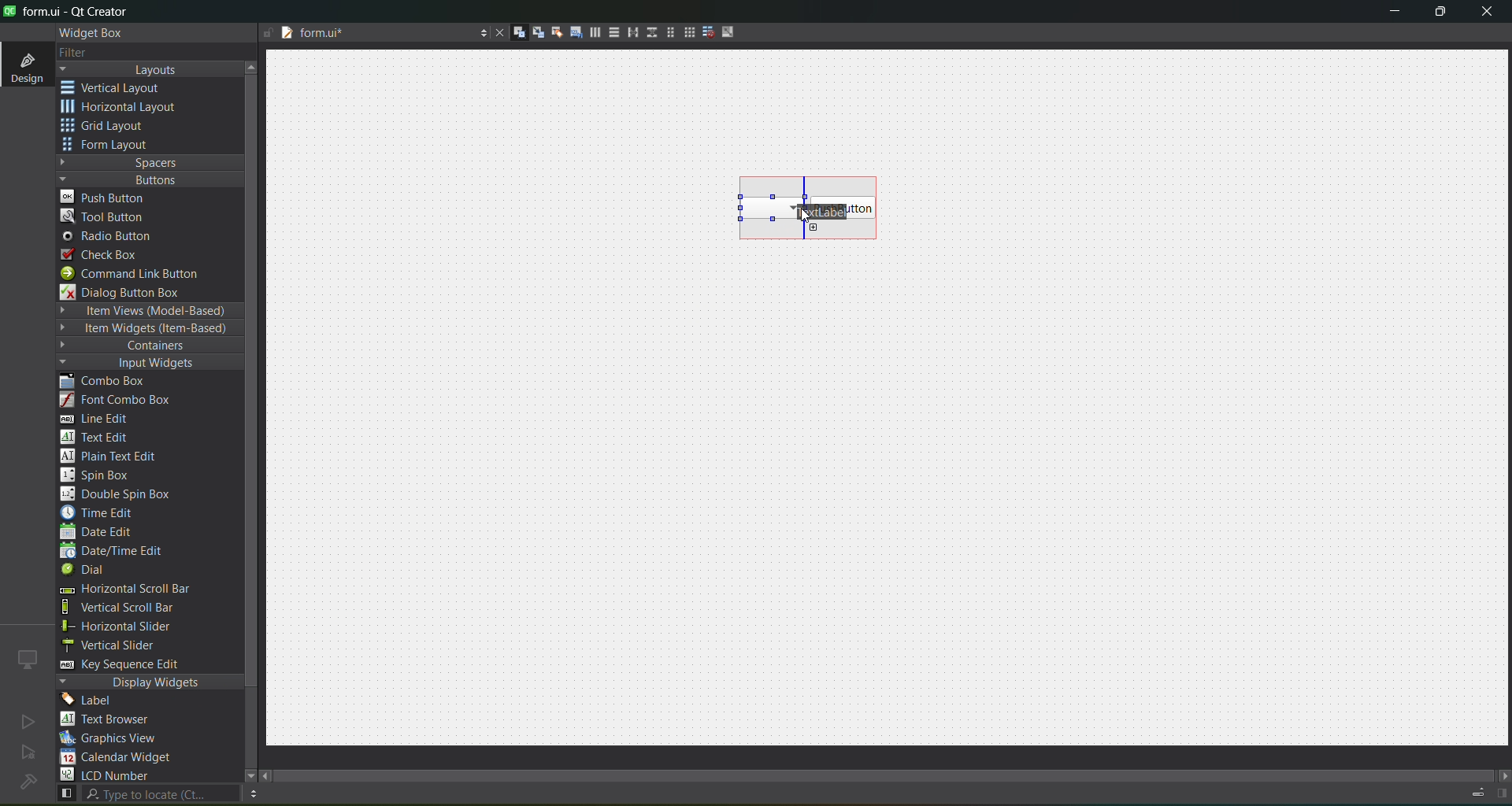 Image resolution: width=1512 pixels, height=806 pixels. What do you see at coordinates (665, 32) in the screenshot?
I see `layout in a form` at bounding box center [665, 32].